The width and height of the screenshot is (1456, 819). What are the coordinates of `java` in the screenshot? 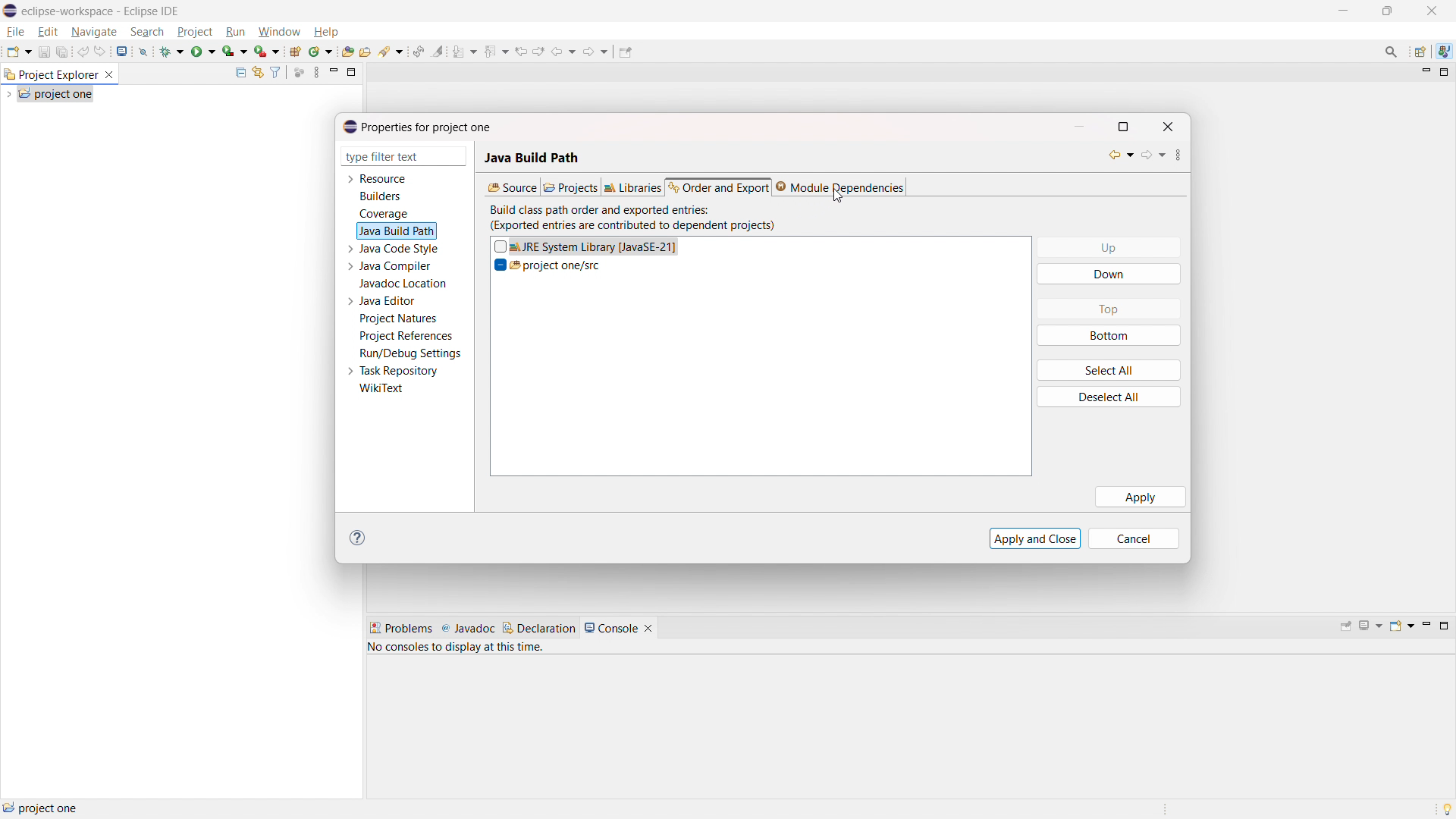 It's located at (1444, 52).